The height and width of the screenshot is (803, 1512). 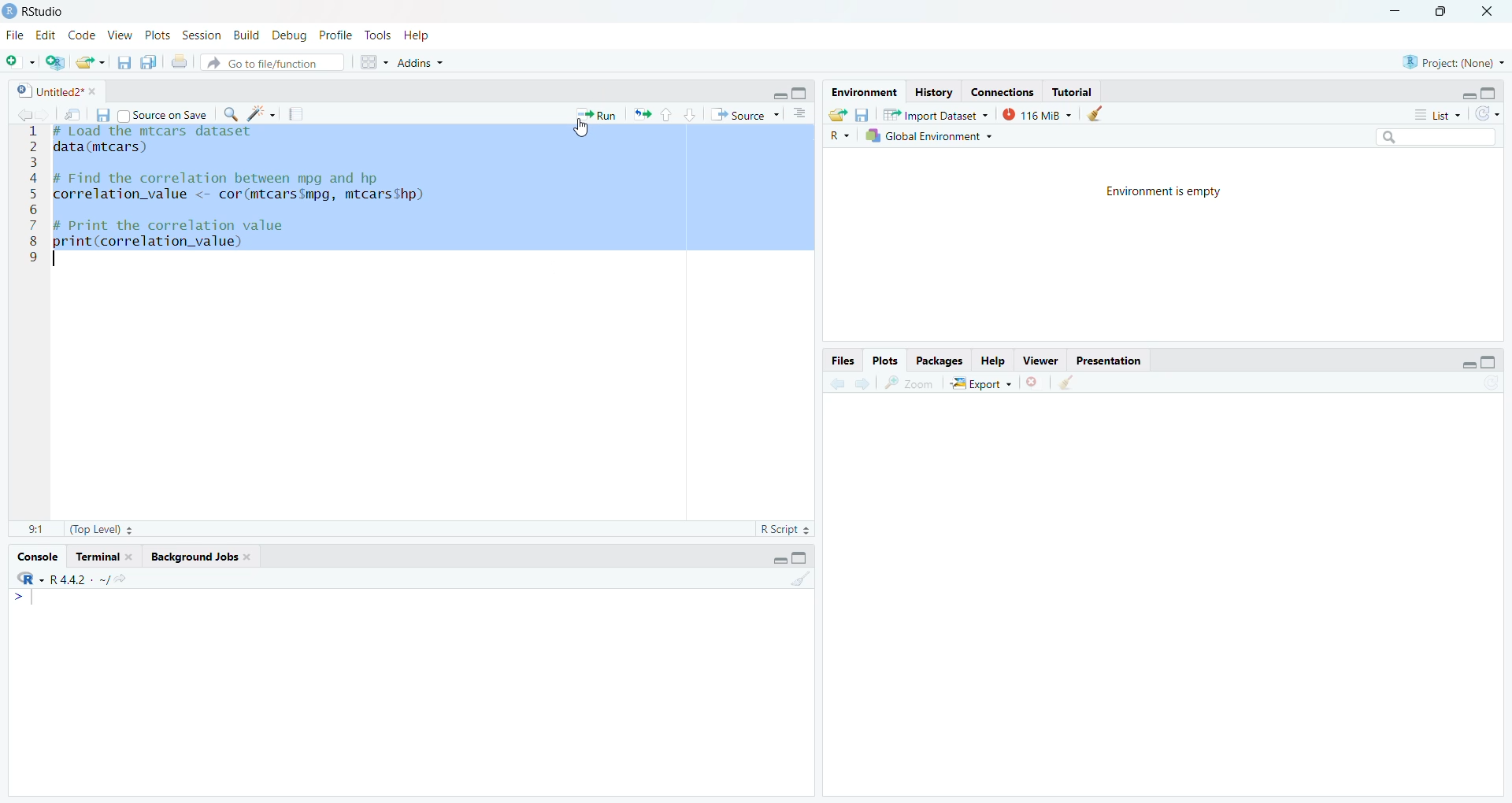 What do you see at coordinates (1002, 92) in the screenshot?
I see `Connections` at bounding box center [1002, 92].